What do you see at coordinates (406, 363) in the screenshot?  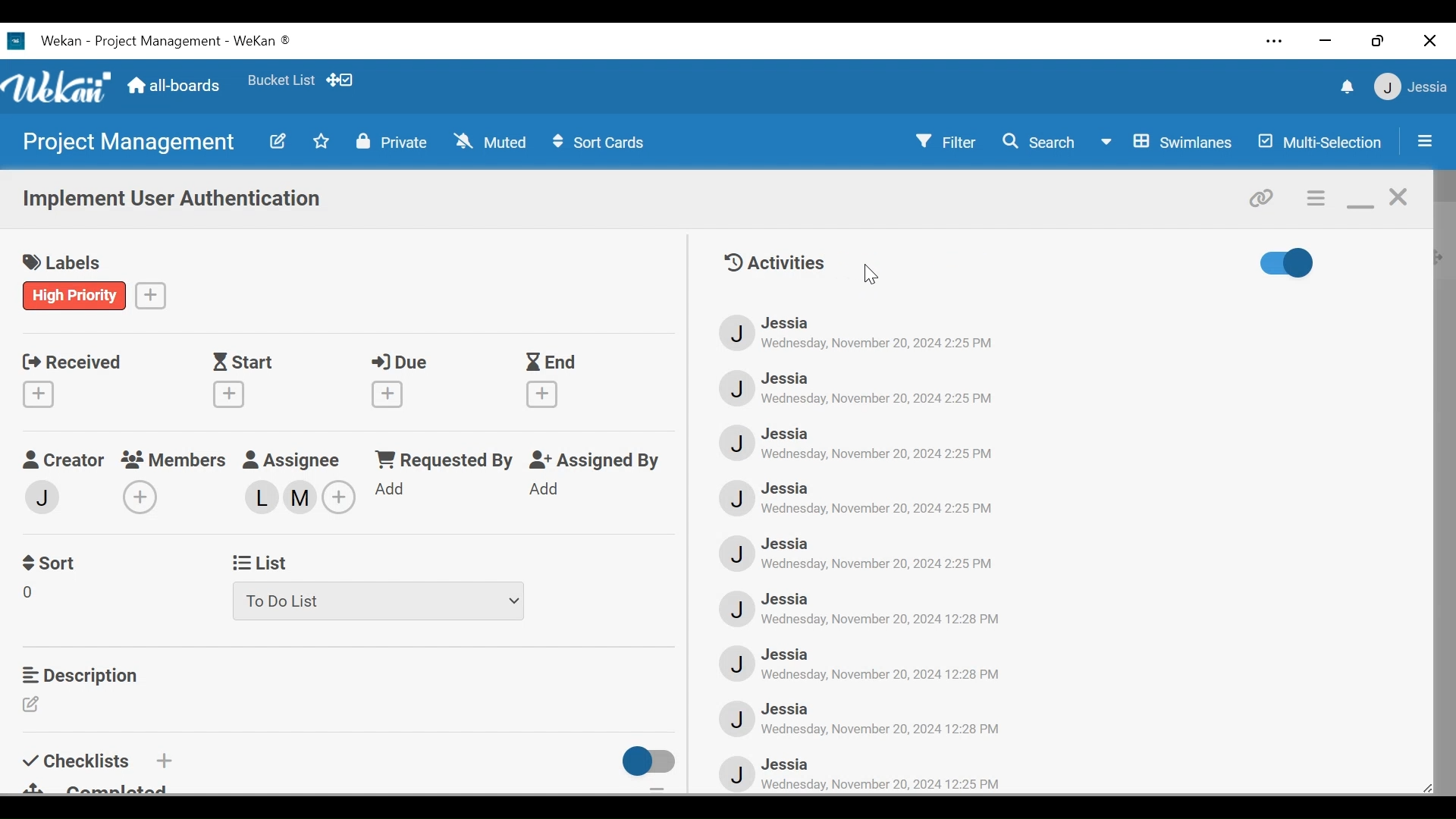 I see `Due Date` at bounding box center [406, 363].